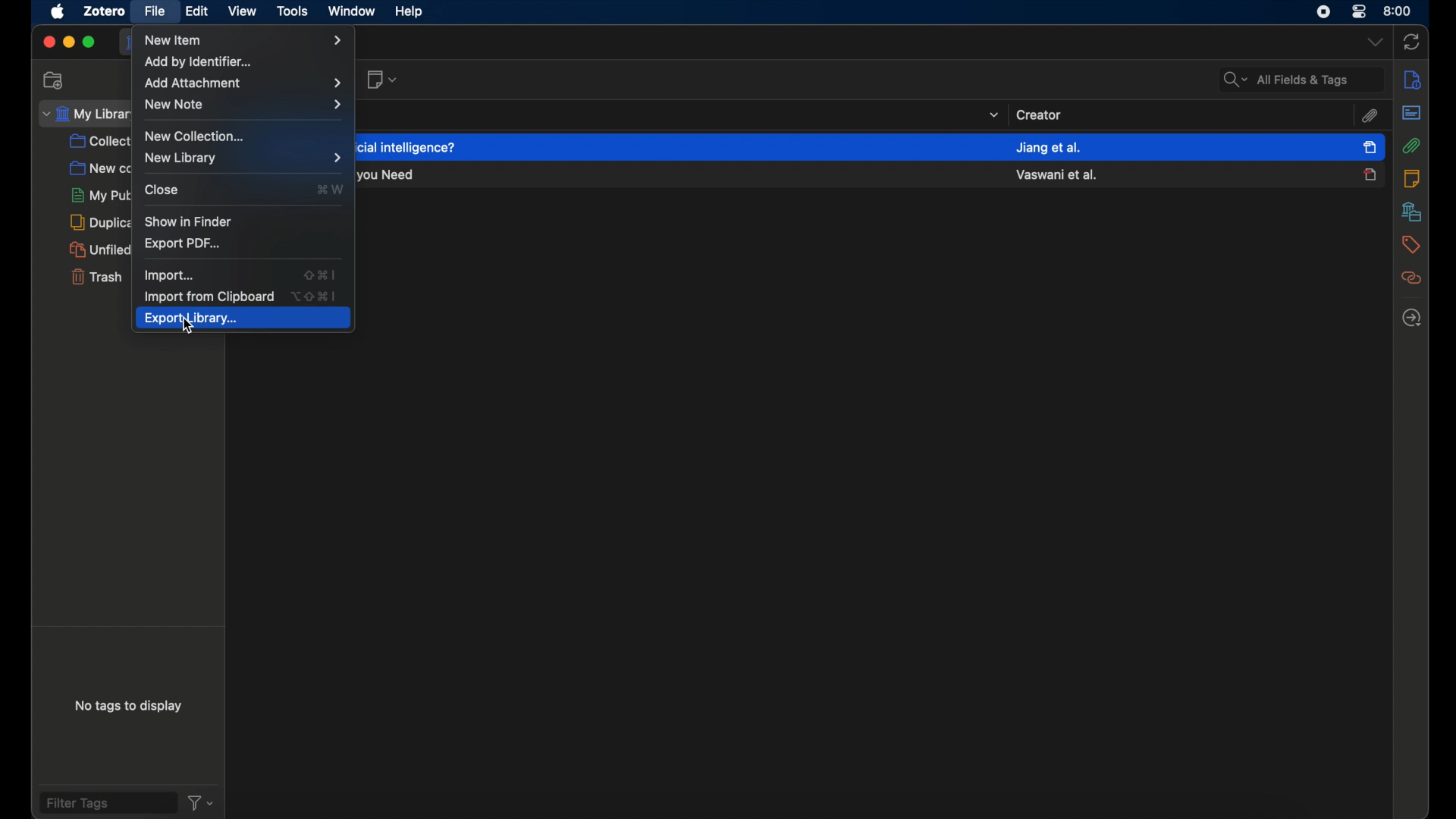  What do you see at coordinates (68, 42) in the screenshot?
I see `minimize` at bounding box center [68, 42].